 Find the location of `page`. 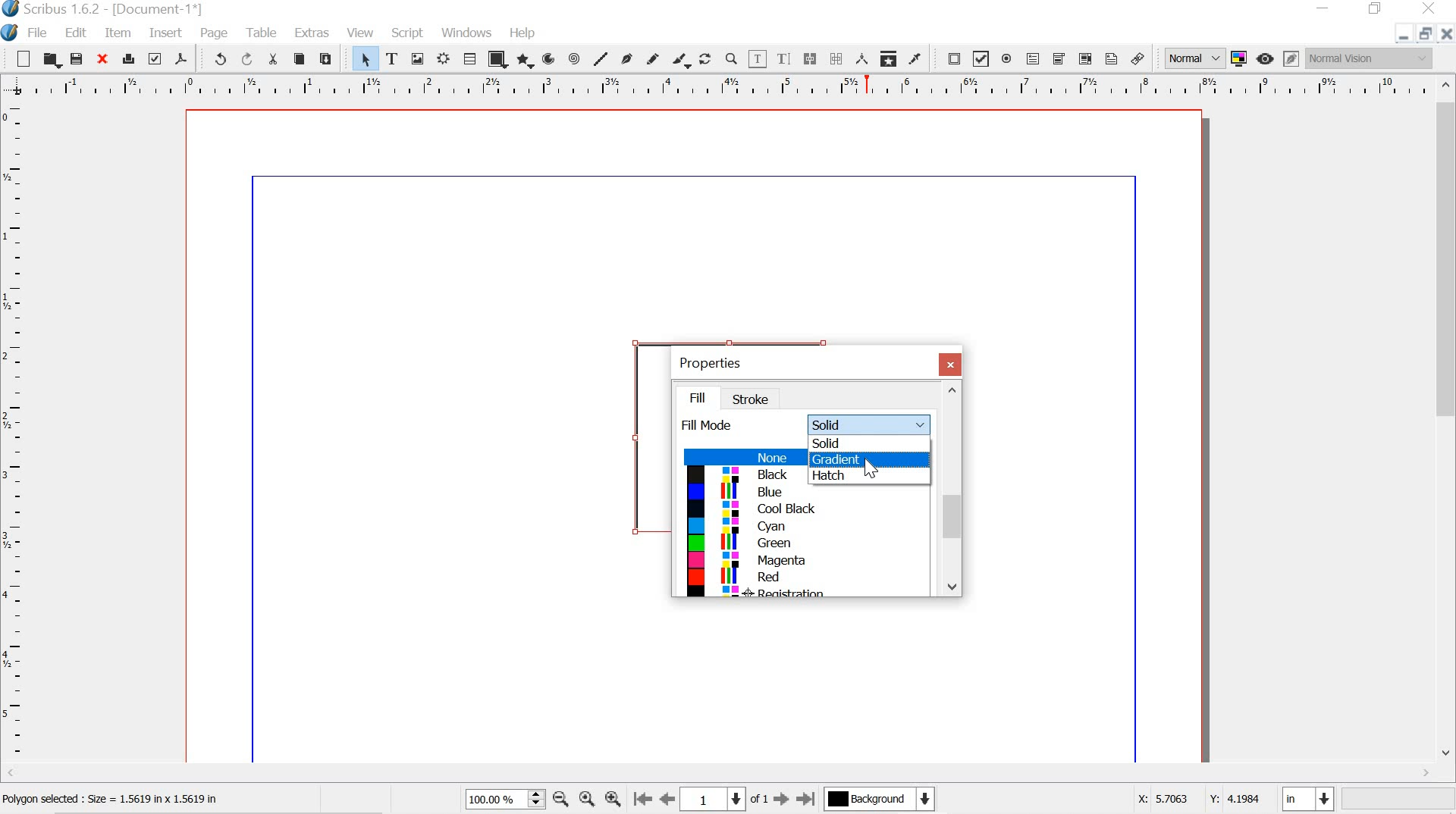

page is located at coordinates (218, 33).